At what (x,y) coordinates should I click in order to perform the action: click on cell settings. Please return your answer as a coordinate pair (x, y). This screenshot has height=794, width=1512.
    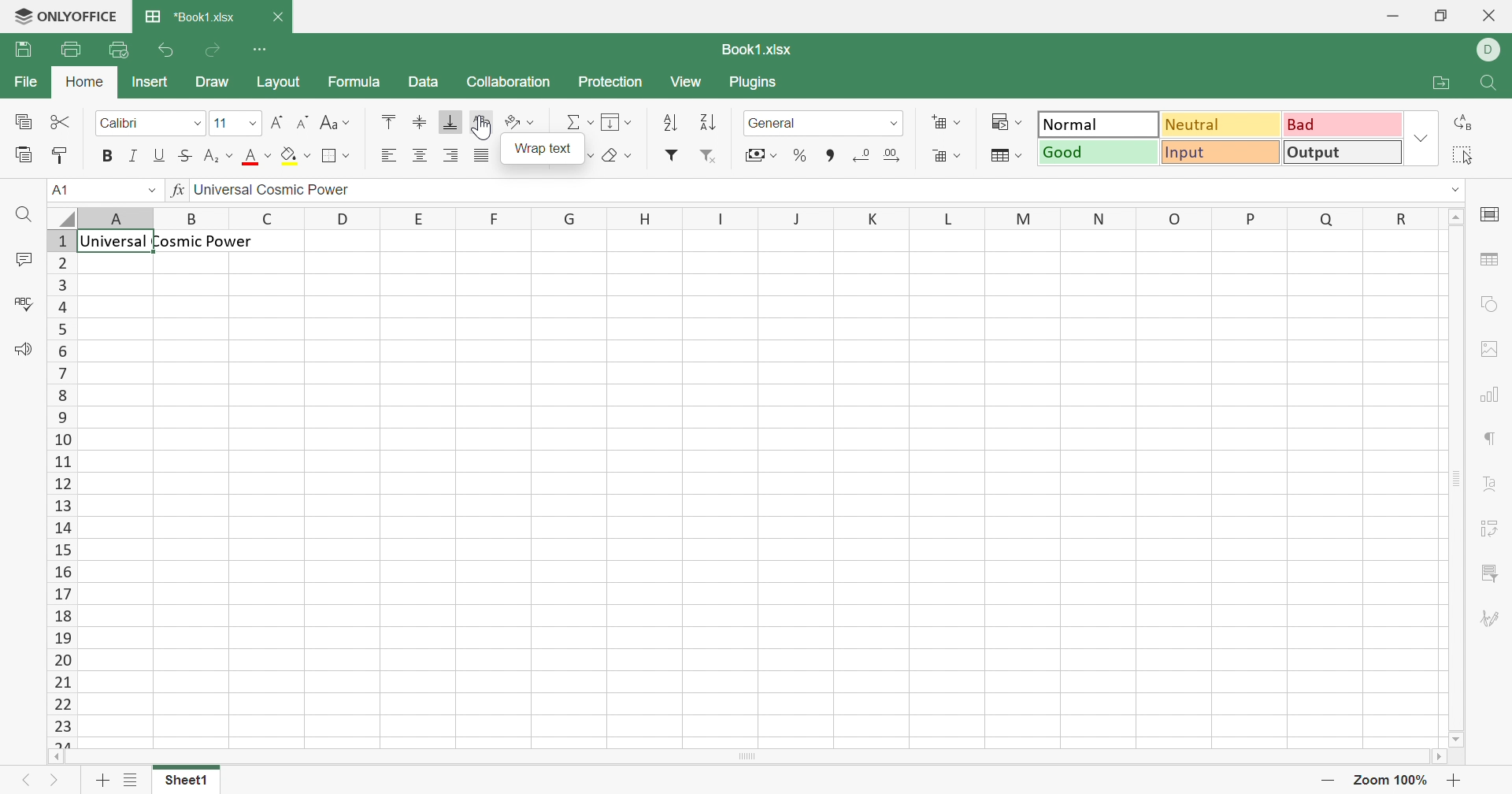
    Looking at the image, I should click on (1495, 215).